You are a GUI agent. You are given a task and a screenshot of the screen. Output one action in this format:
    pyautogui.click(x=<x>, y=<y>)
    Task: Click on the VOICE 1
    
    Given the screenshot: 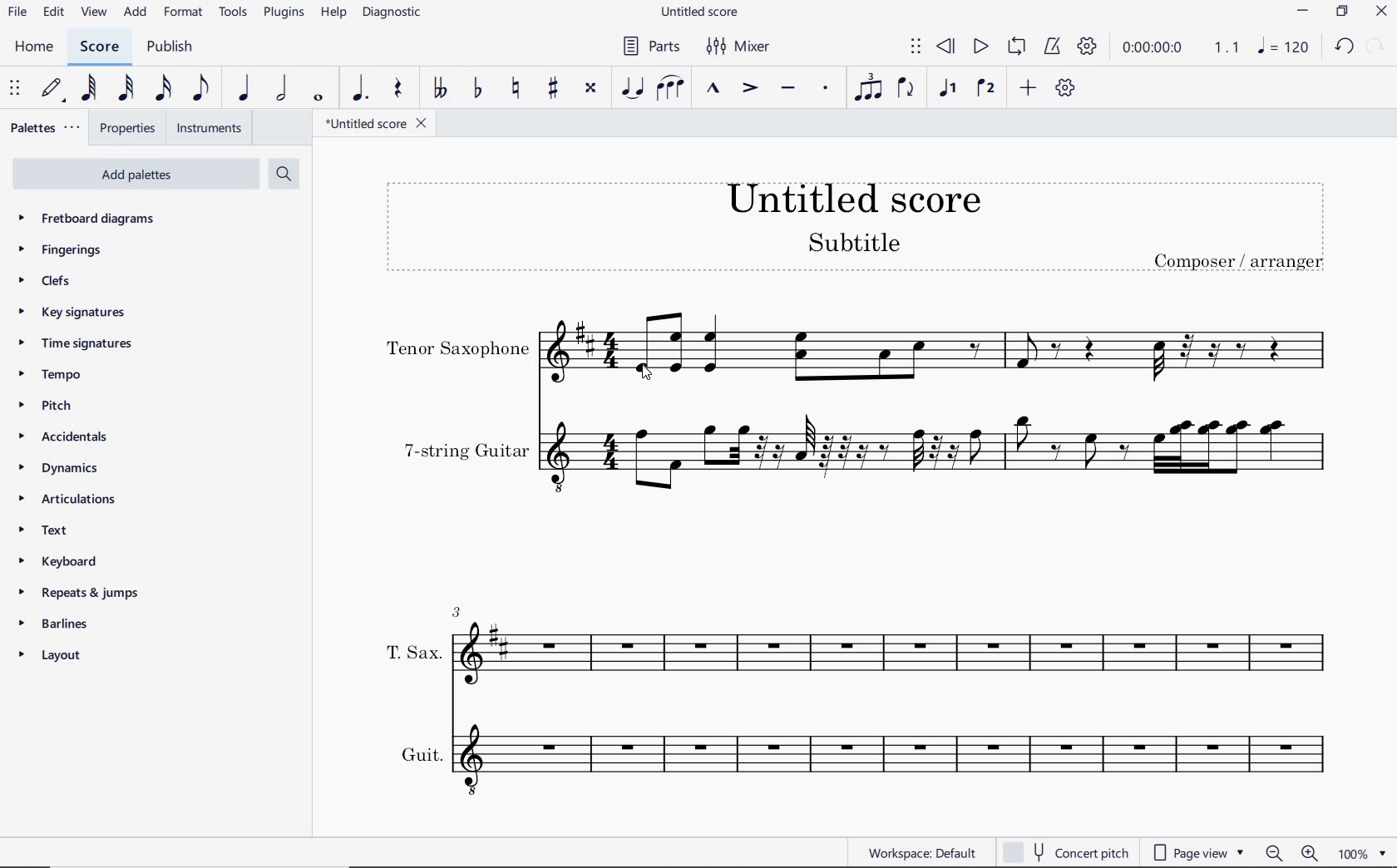 What is the action you would take?
    pyautogui.click(x=949, y=89)
    